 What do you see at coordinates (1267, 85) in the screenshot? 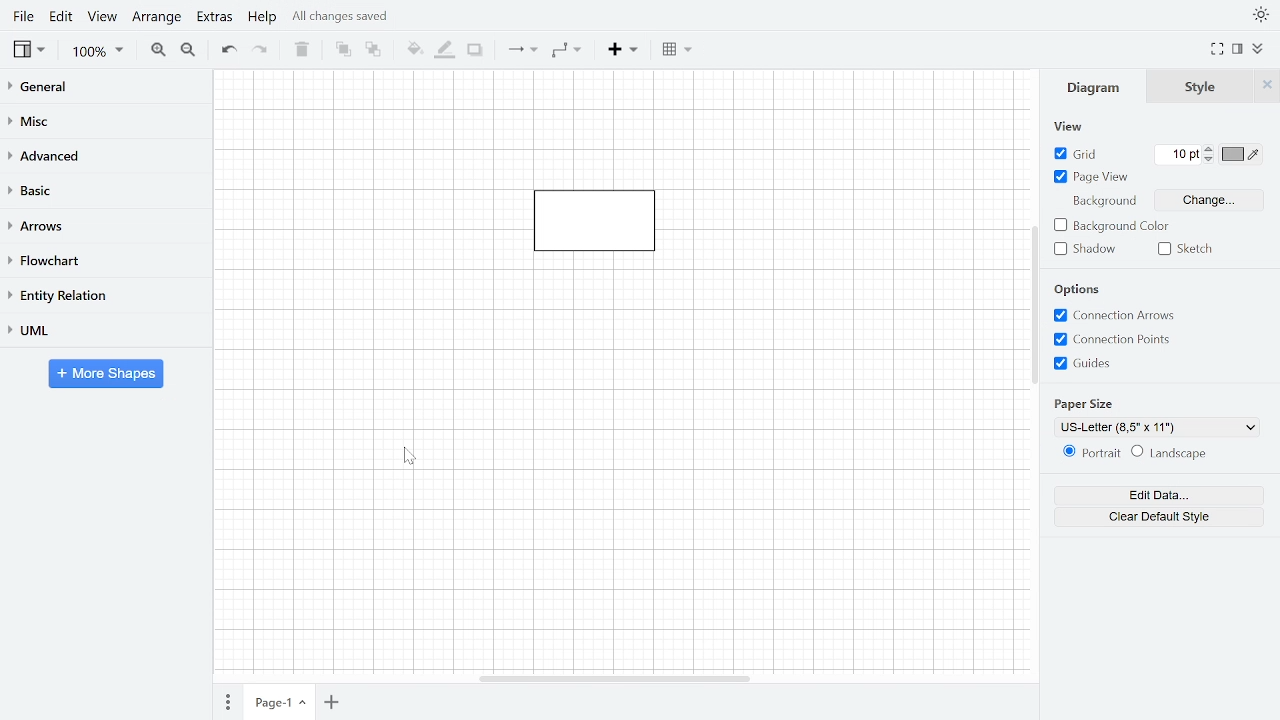
I see `CLose` at bounding box center [1267, 85].